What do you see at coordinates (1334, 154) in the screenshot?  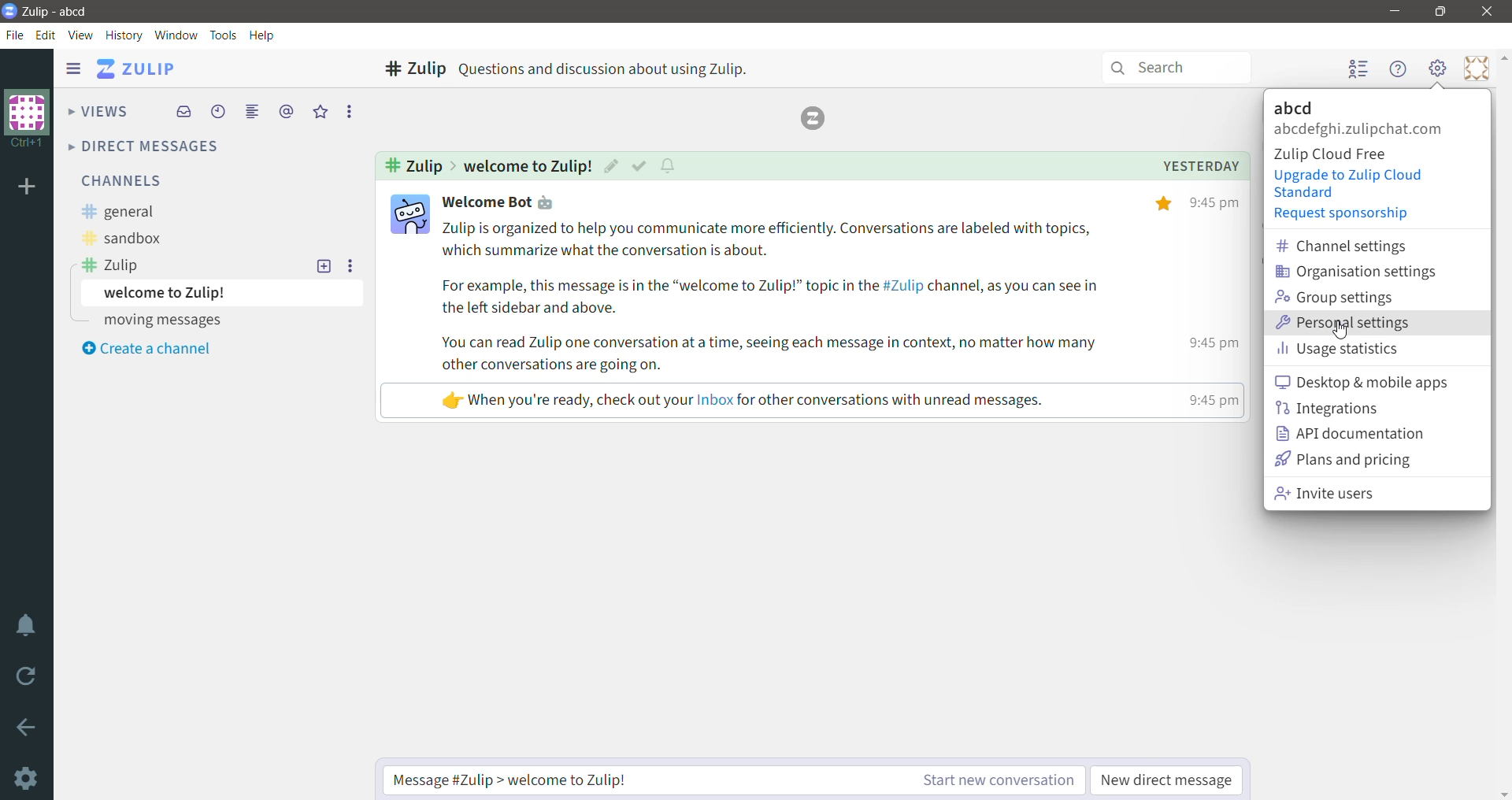 I see `Zulip Cloud Free` at bounding box center [1334, 154].